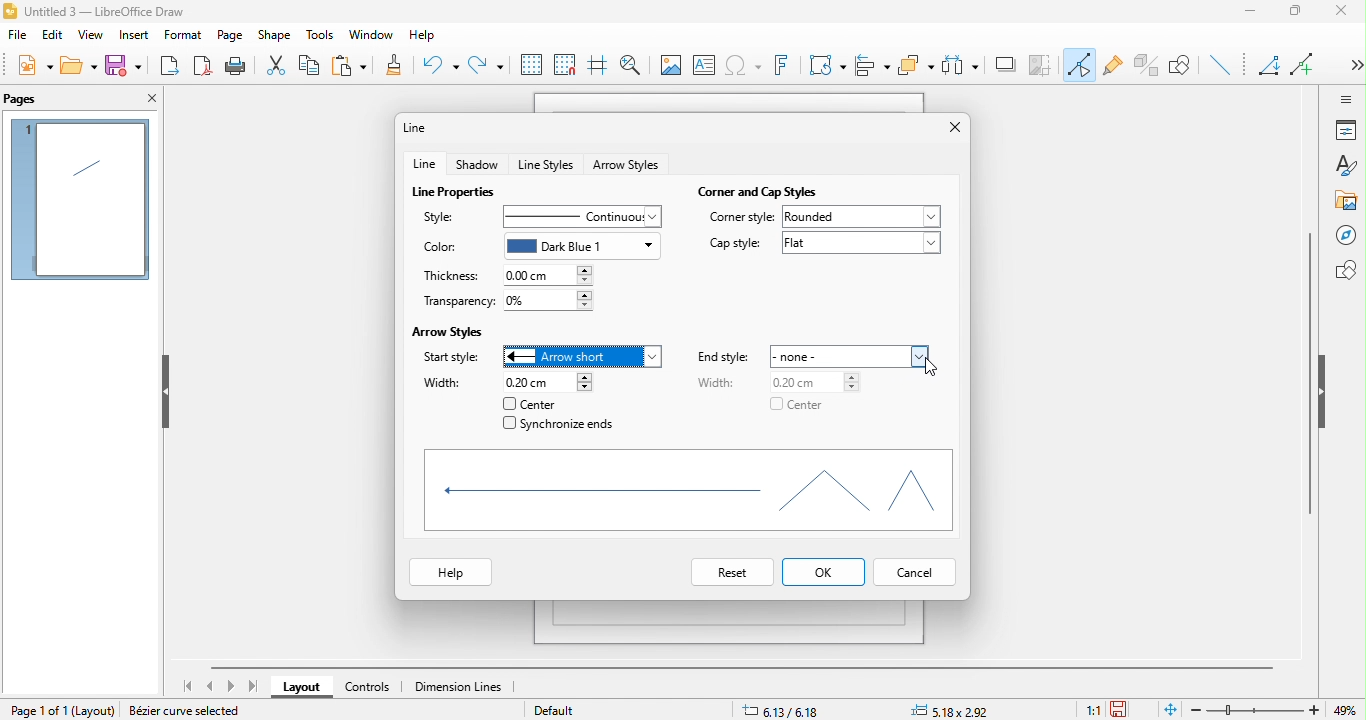 Image resolution: width=1366 pixels, height=720 pixels. I want to click on rounded, so click(864, 217).